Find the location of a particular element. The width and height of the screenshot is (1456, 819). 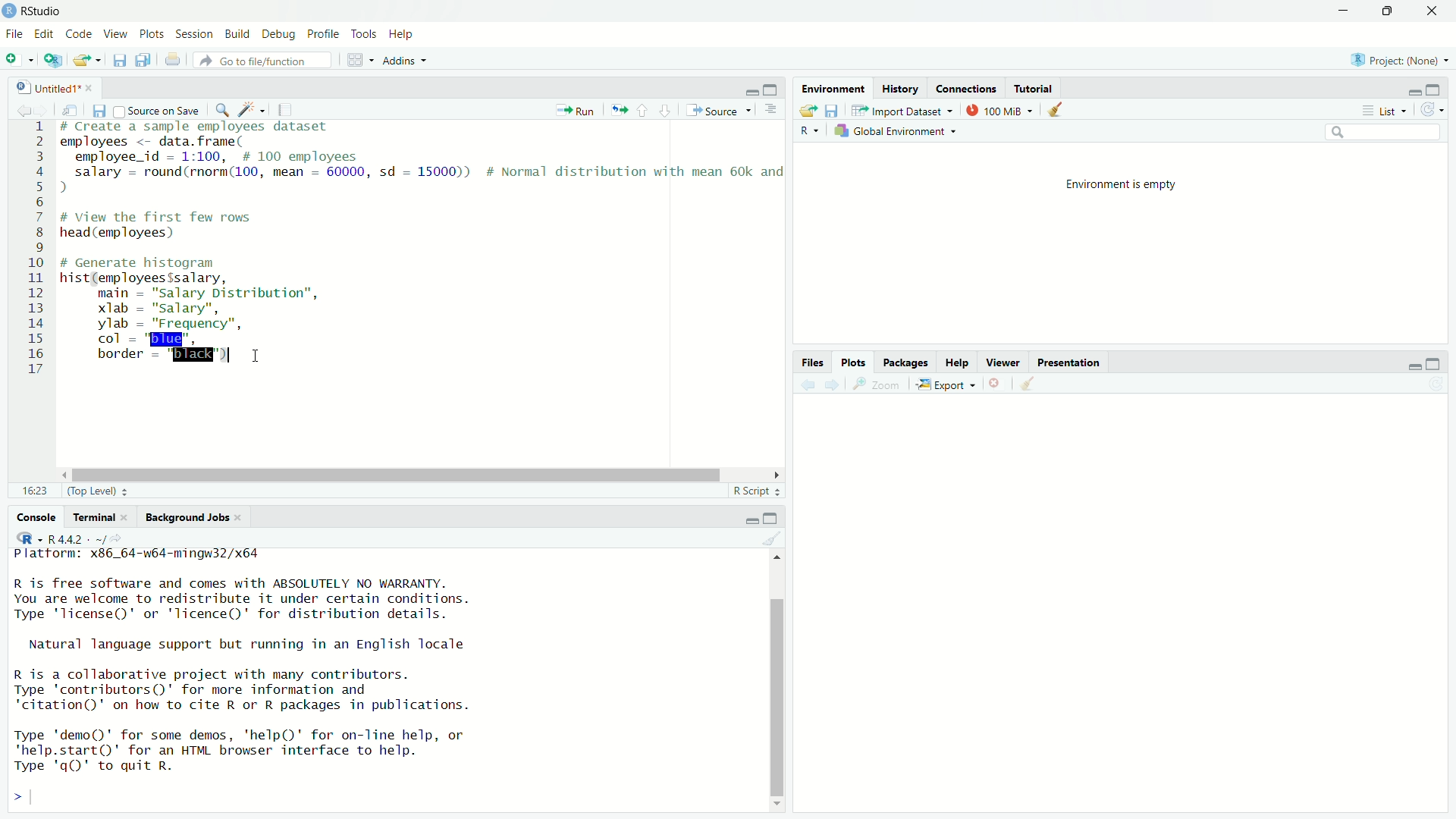

Untitled1* is located at coordinates (49, 88).